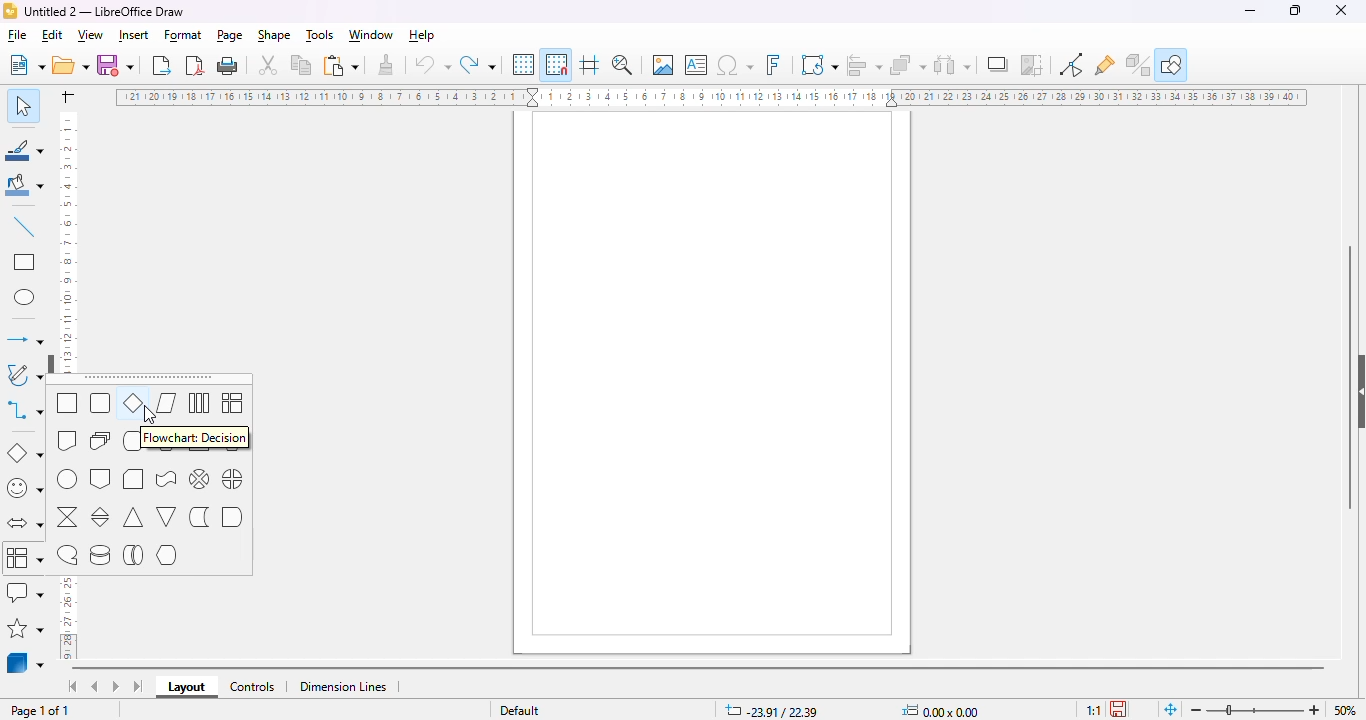 The height and width of the screenshot is (720, 1366). I want to click on cursor, so click(149, 417).